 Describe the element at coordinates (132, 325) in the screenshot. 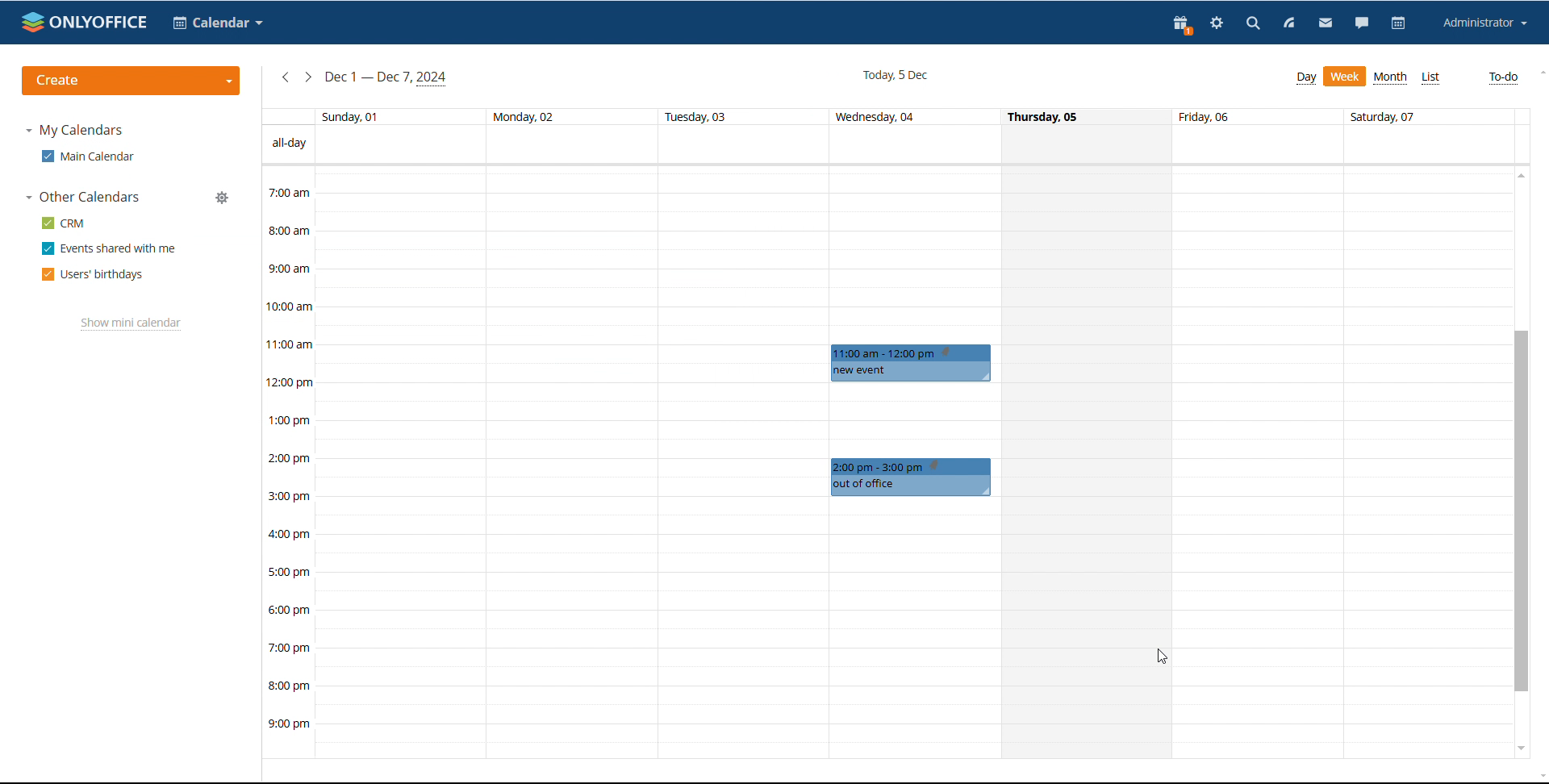

I see `show mini calendar` at that location.